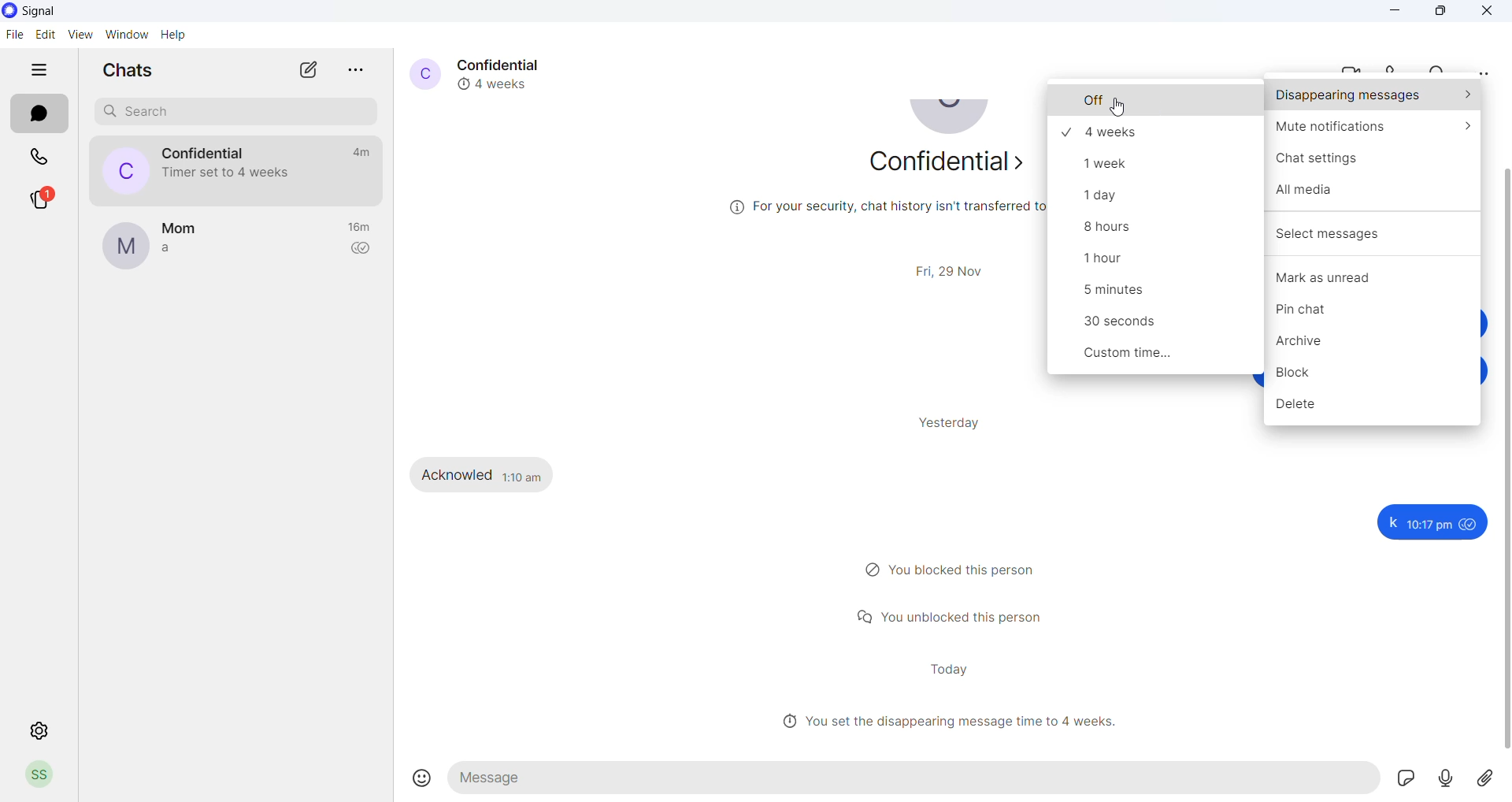 The image size is (1512, 802). Describe the element at coordinates (363, 251) in the screenshot. I see `read recipient` at that location.